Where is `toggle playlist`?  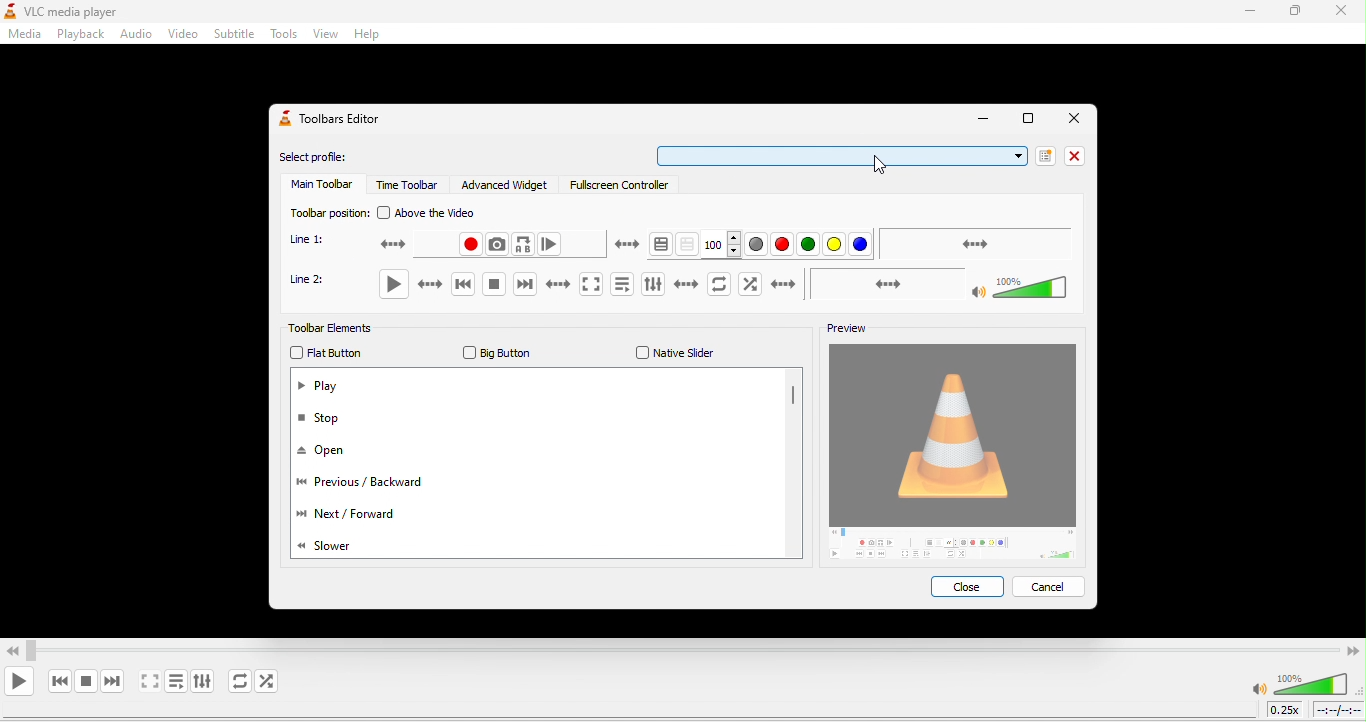 toggle playlist is located at coordinates (175, 684).